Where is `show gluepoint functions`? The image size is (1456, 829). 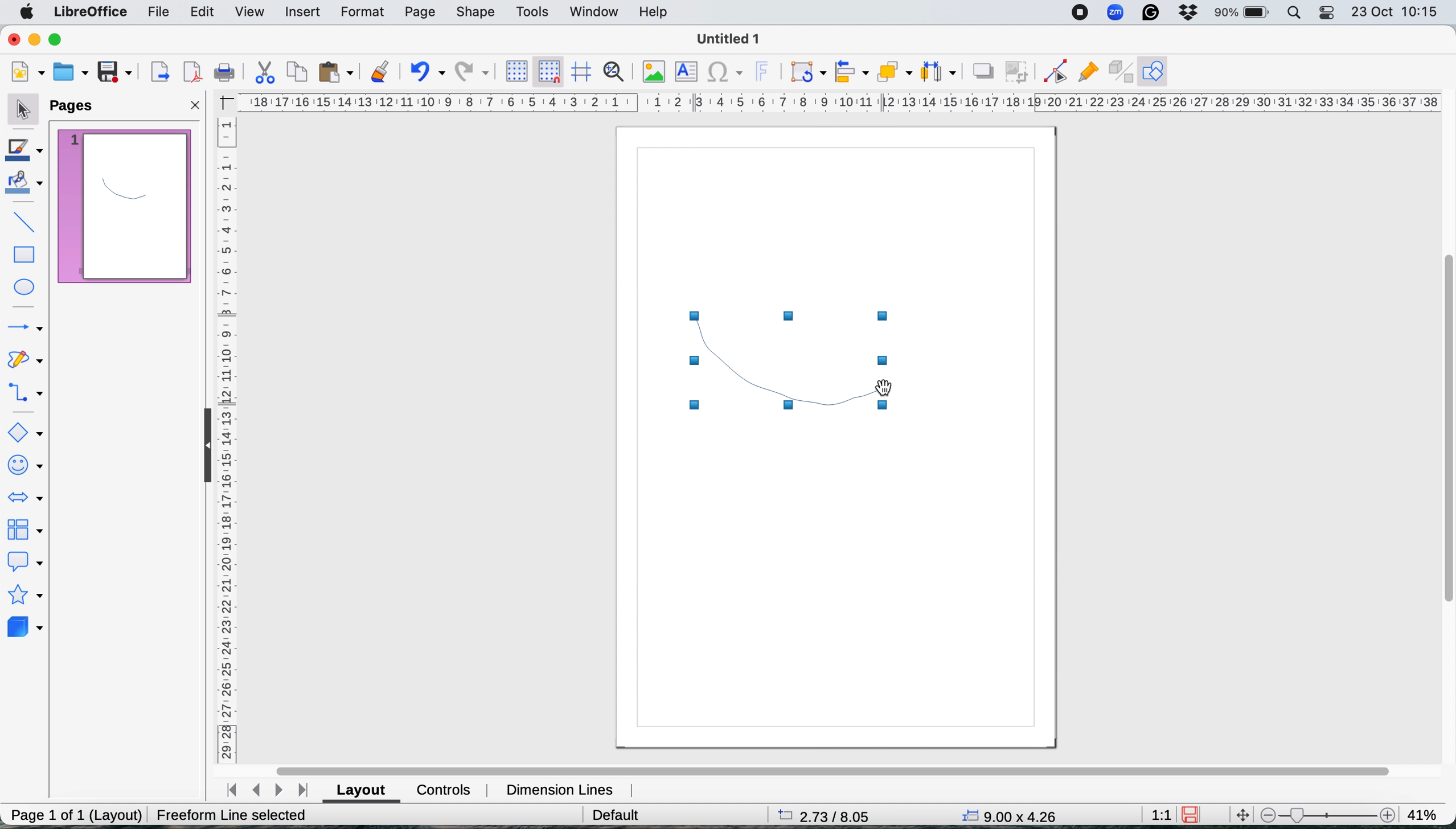 show gluepoint functions is located at coordinates (1088, 71).